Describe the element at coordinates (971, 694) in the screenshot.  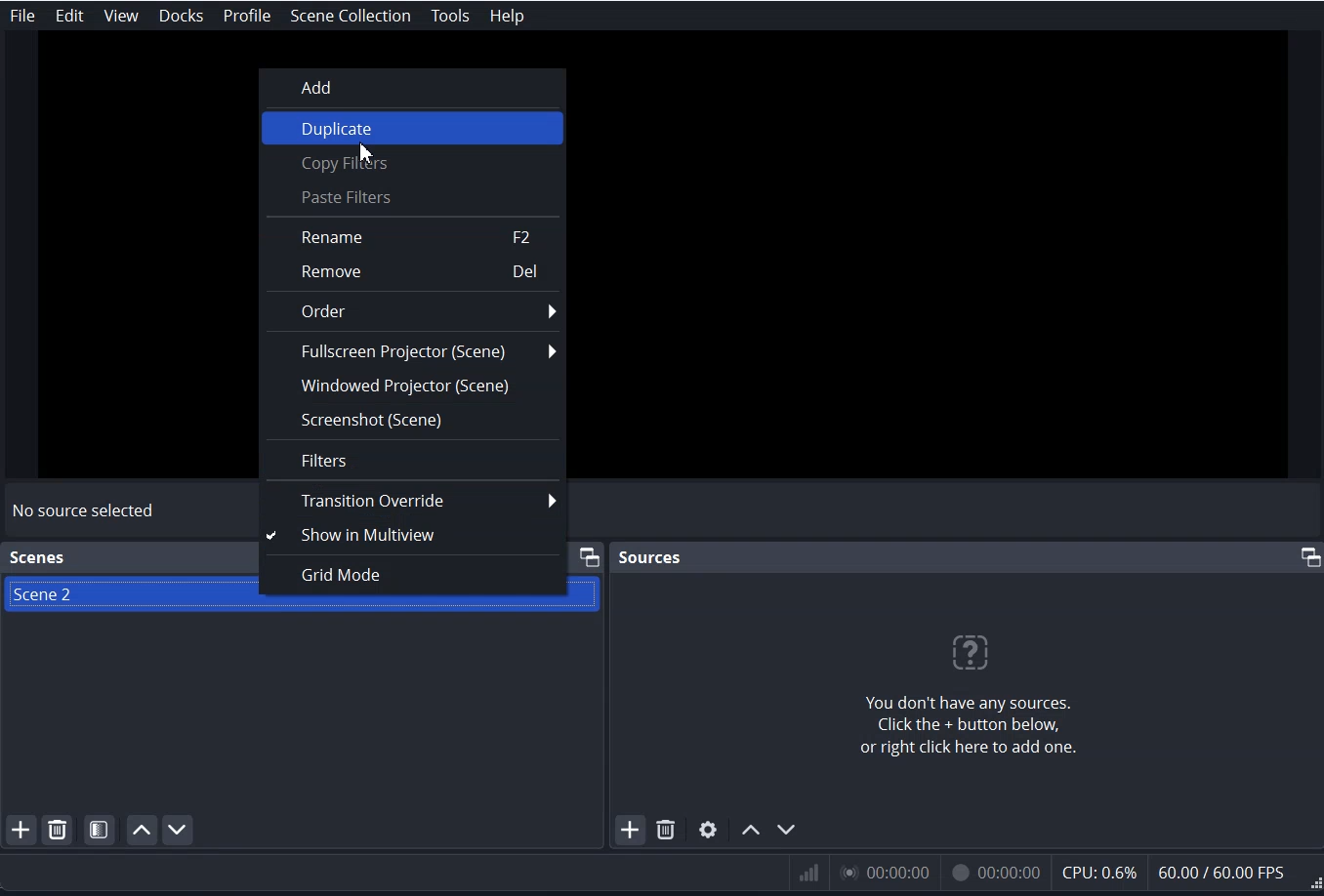
I see `Text about no sources and how to add a new source` at that location.